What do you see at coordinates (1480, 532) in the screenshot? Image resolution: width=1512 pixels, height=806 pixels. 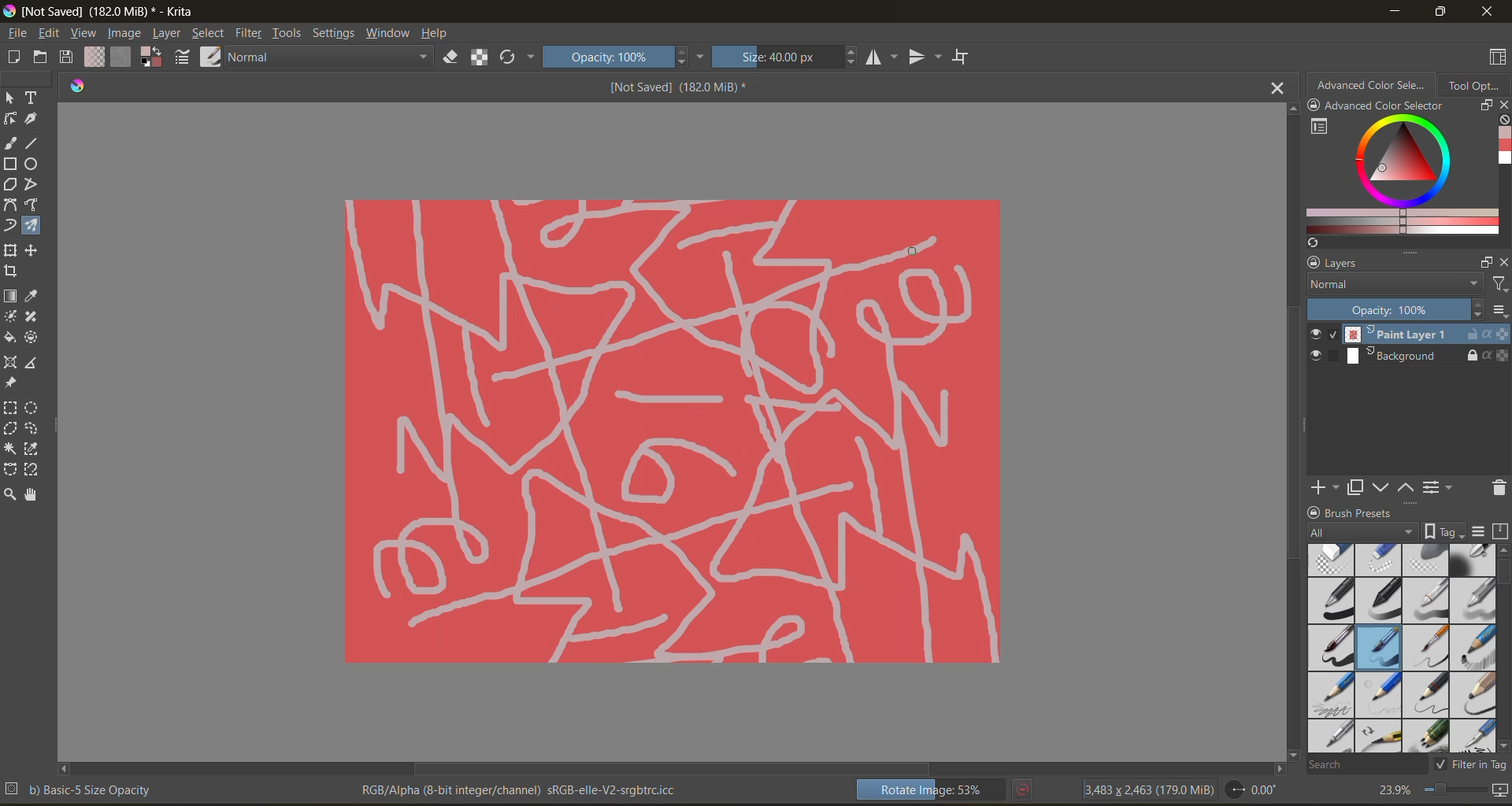 I see `display settings` at bounding box center [1480, 532].